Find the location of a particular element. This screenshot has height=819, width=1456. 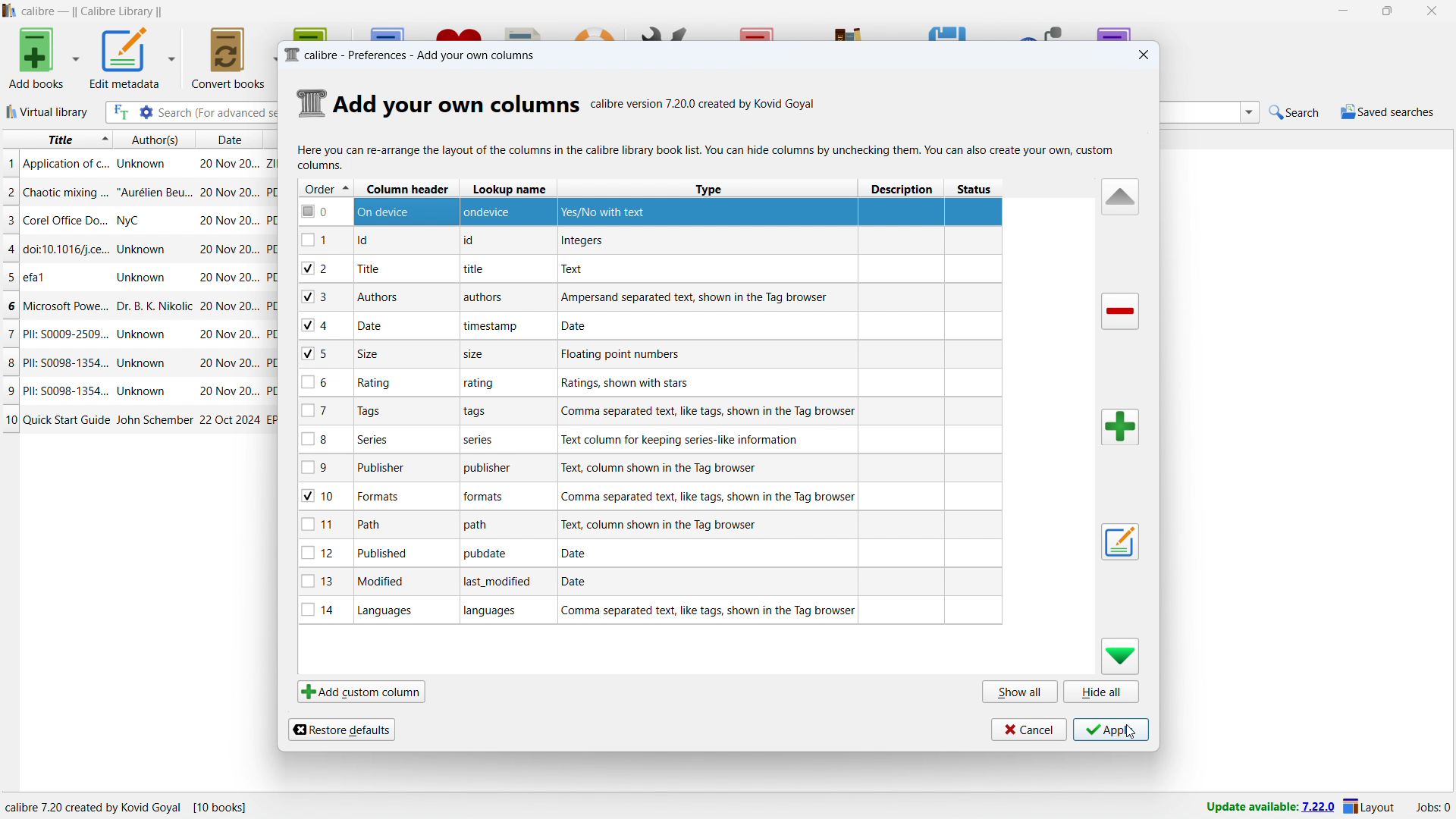

Add your own columns is located at coordinates (457, 103).